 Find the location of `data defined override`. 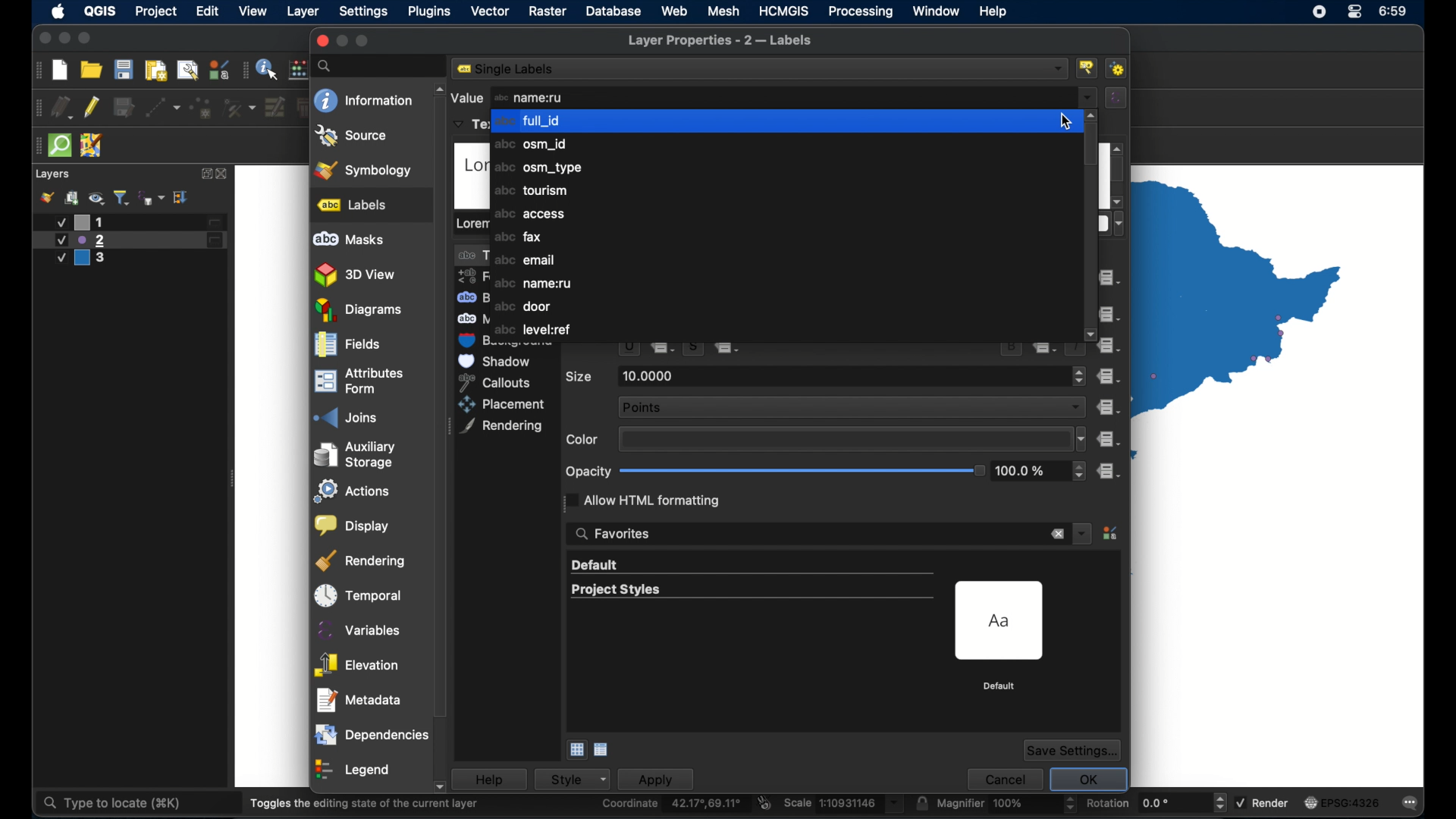

data defined override is located at coordinates (1107, 407).